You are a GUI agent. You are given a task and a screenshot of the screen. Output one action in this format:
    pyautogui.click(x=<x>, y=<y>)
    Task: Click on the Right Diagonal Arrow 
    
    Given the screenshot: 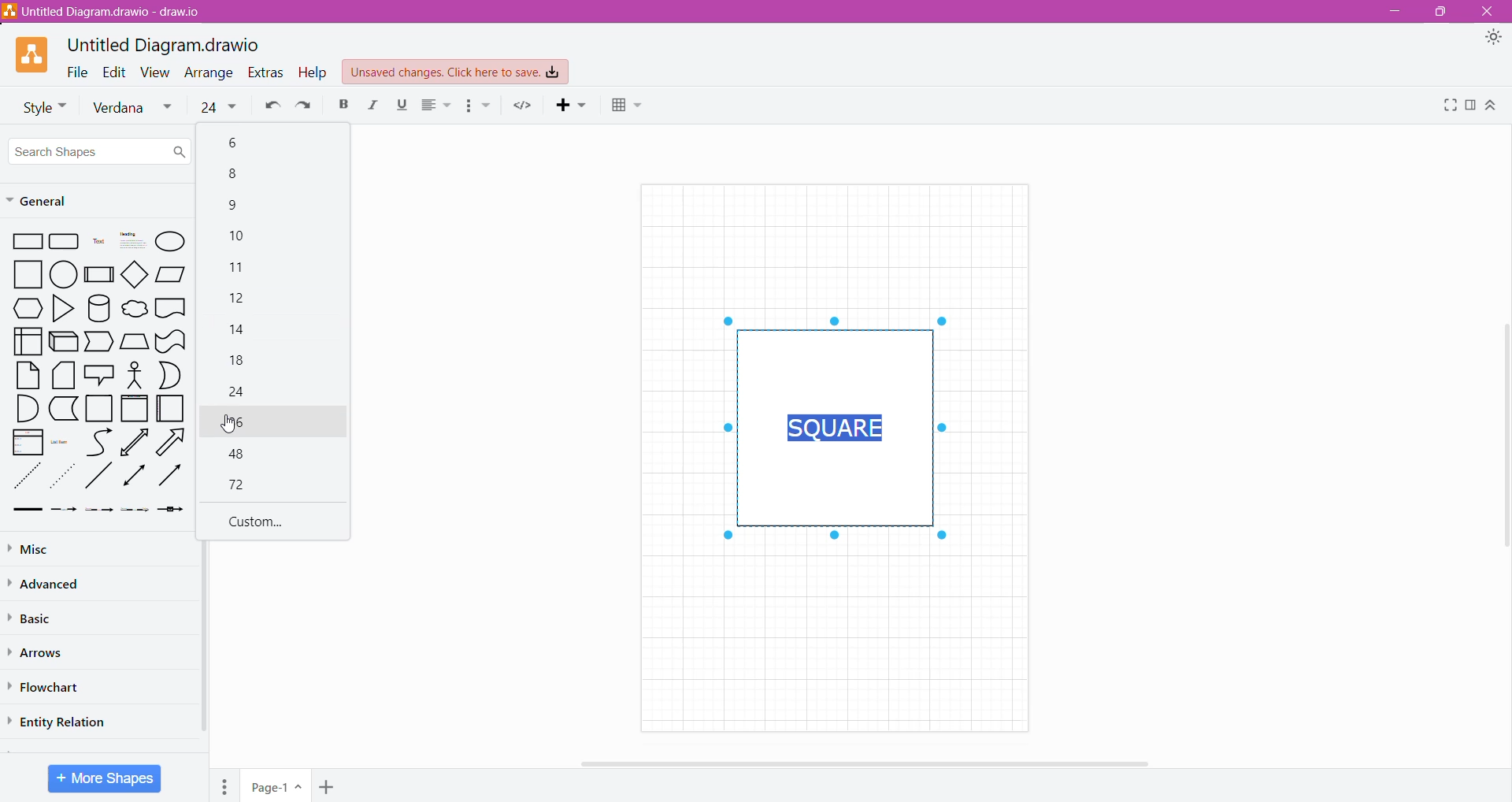 What is the action you would take?
    pyautogui.click(x=172, y=443)
    